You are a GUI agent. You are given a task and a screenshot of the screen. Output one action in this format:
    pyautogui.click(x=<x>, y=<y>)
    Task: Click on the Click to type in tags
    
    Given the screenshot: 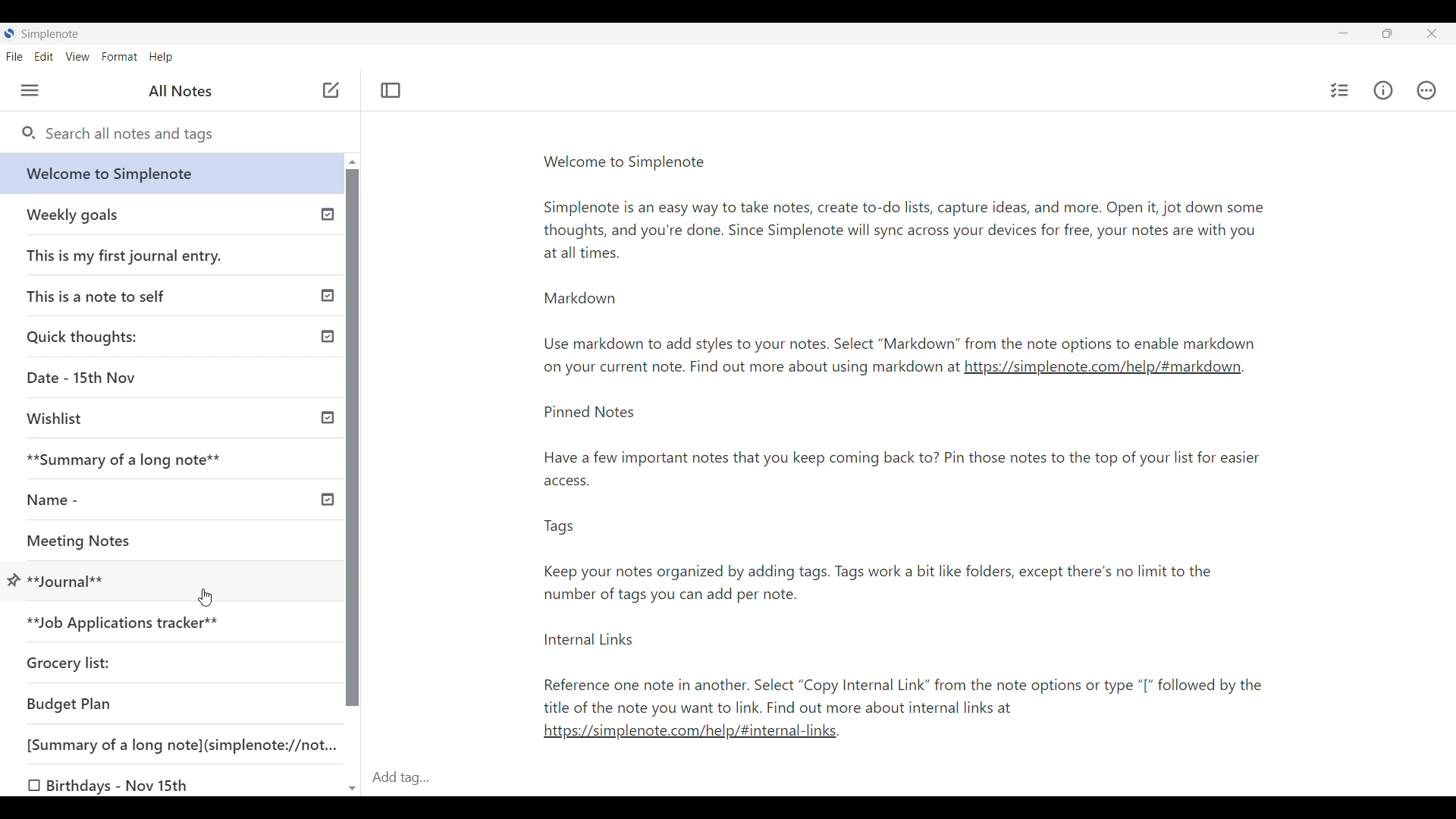 What is the action you would take?
    pyautogui.click(x=911, y=779)
    